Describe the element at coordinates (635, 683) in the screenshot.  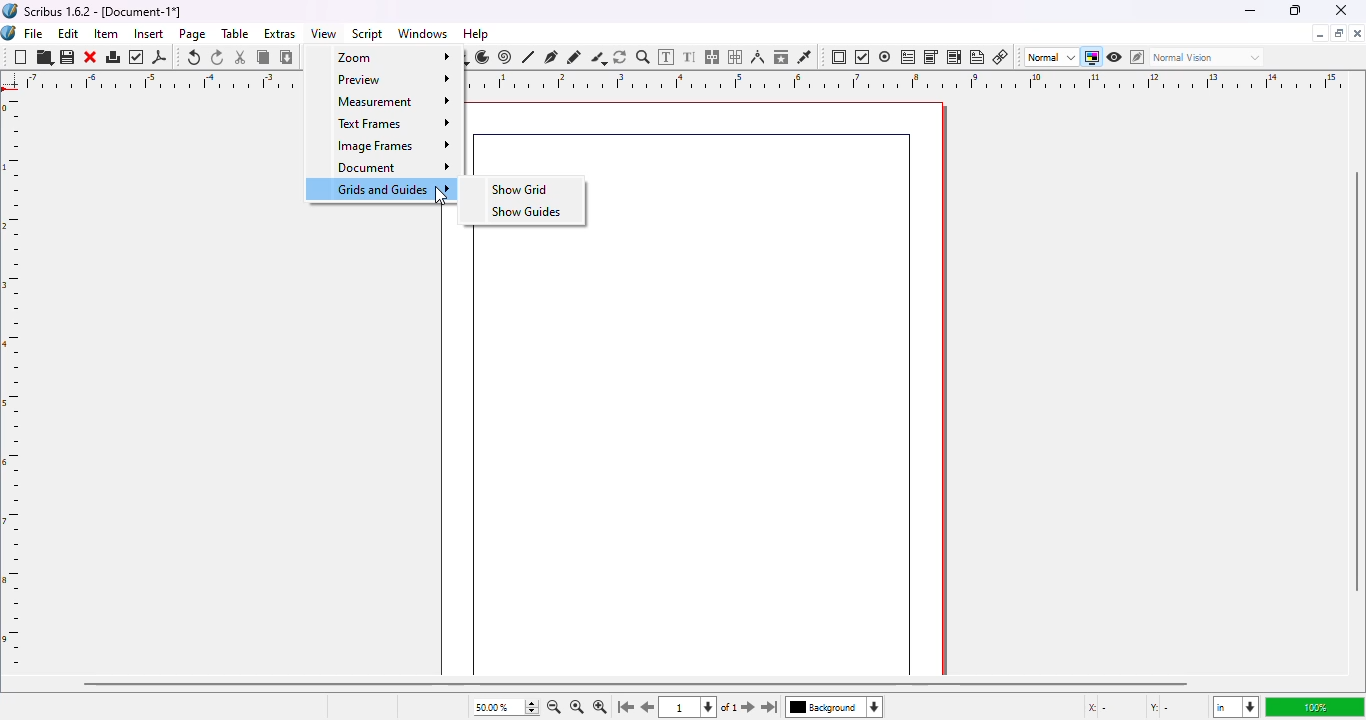
I see `horizontal scroll bar` at that location.